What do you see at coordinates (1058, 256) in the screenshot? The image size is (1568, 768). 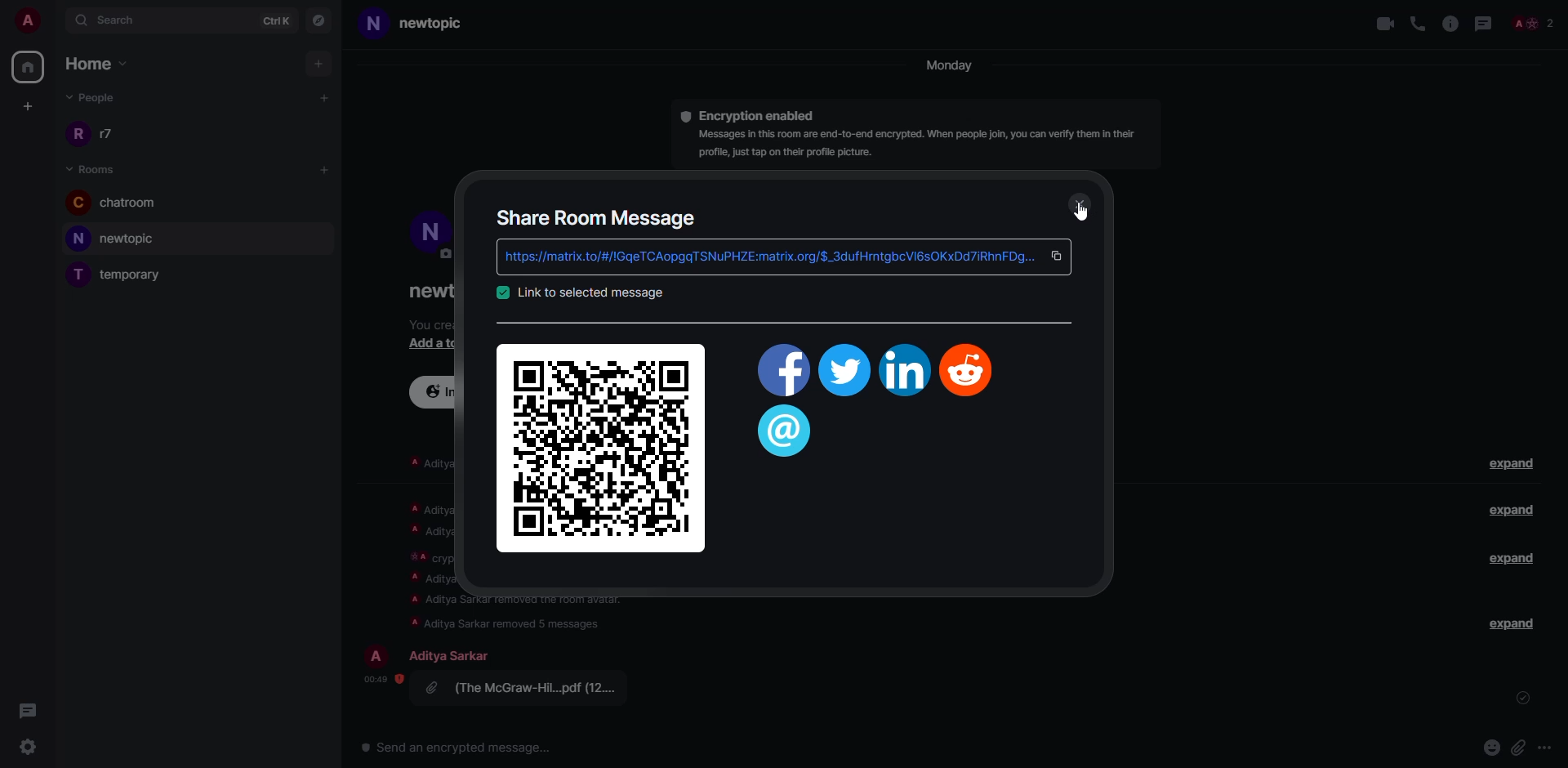 I see `copy` at bounding box center [1058, 256].